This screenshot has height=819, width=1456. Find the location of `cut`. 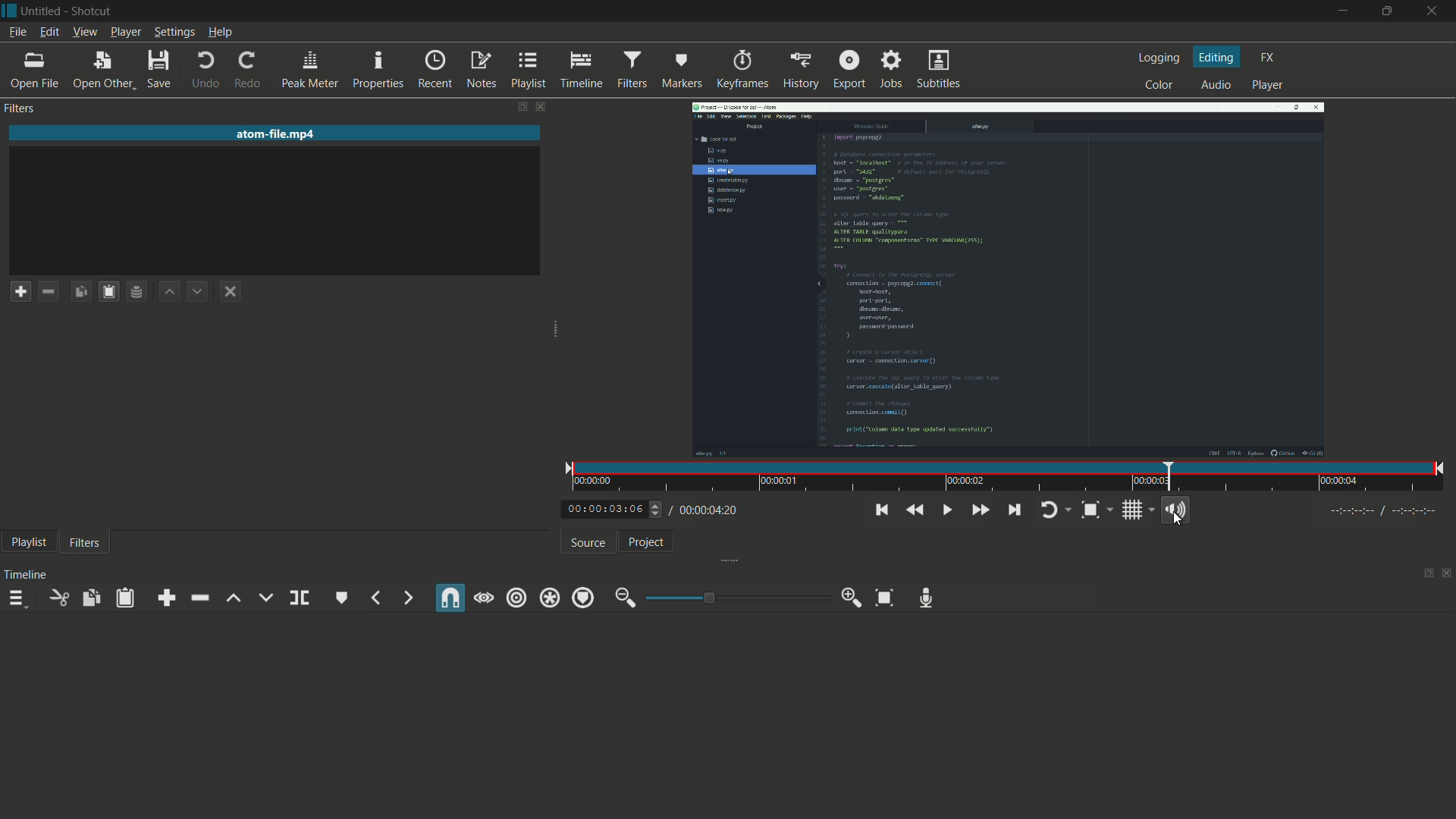

cut is located at coordinates (56, 598).